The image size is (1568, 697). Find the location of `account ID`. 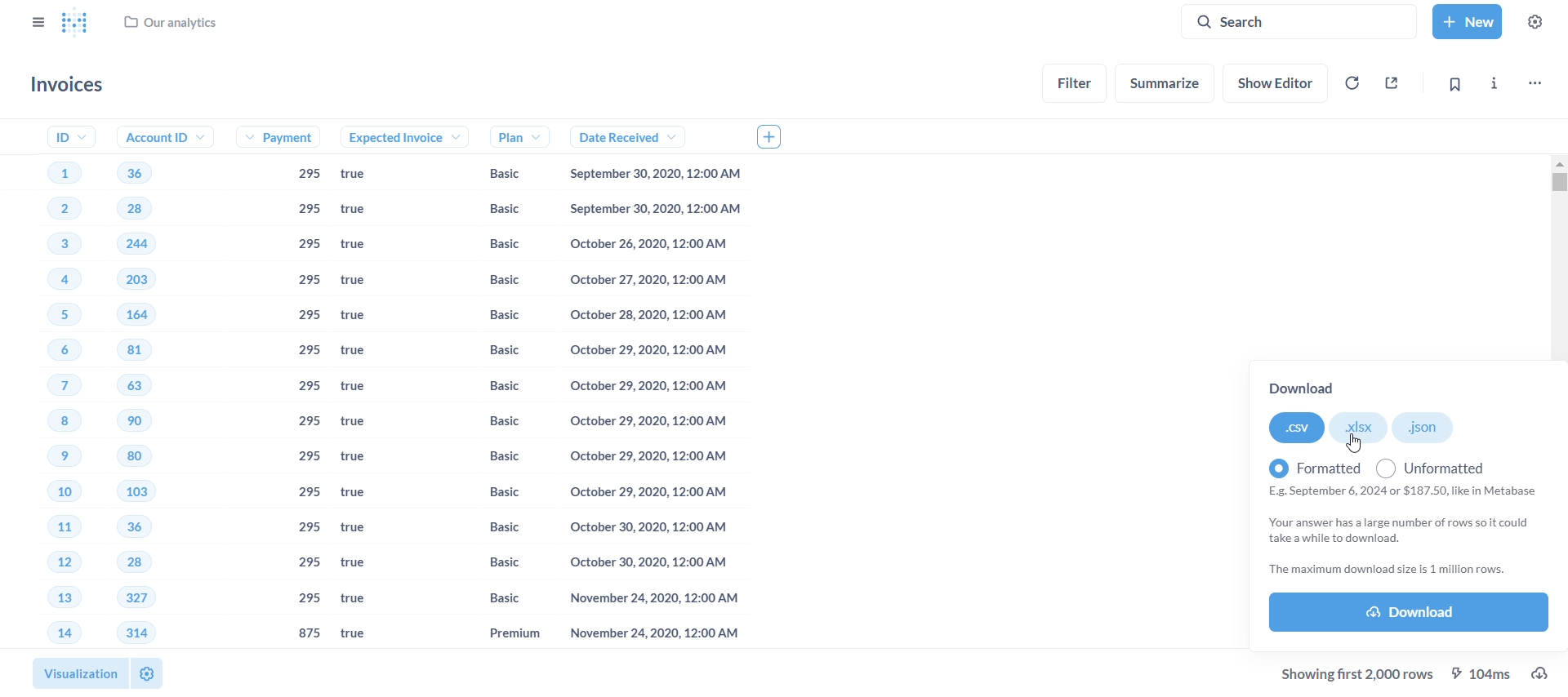

account ID is located at coordinates (159, 137).